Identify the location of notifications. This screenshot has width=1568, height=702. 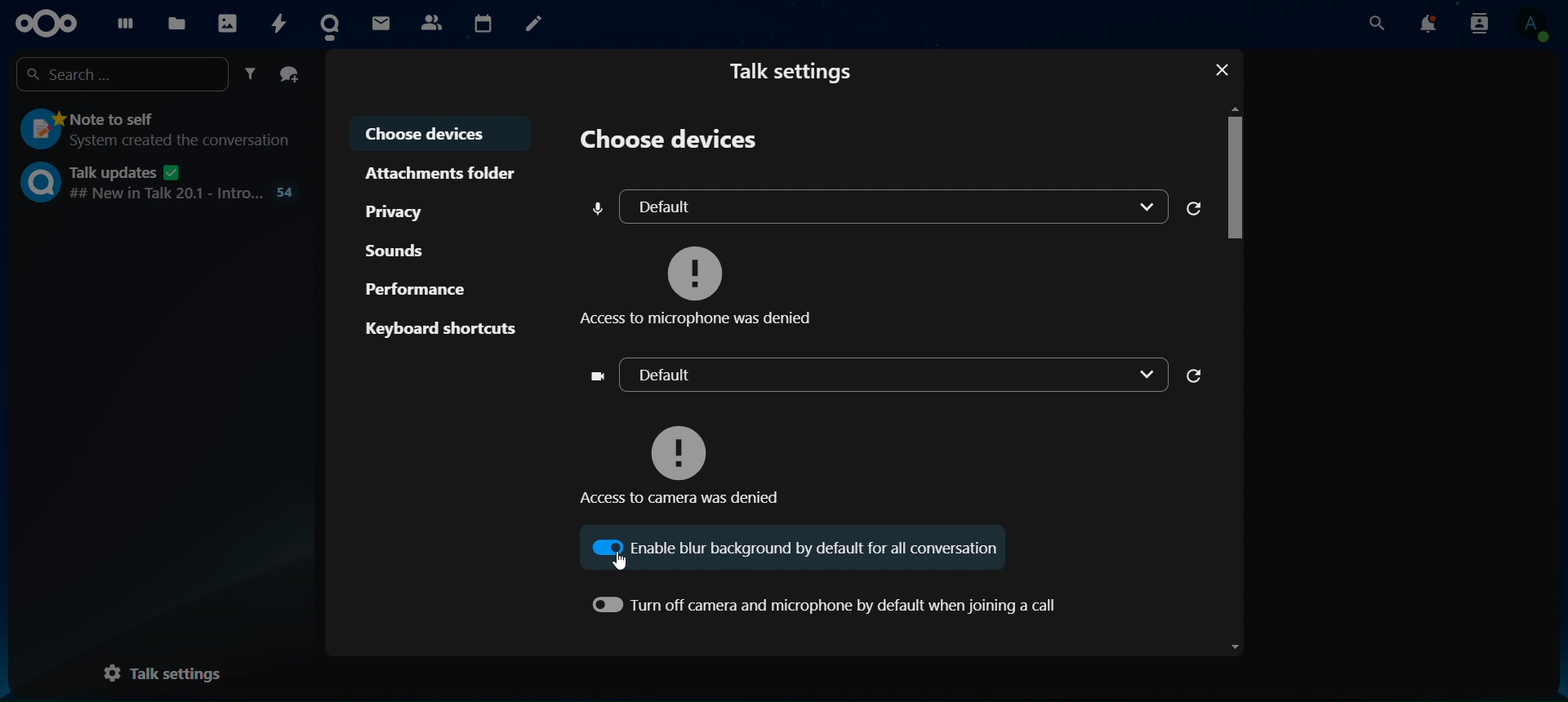
(1432, 25).